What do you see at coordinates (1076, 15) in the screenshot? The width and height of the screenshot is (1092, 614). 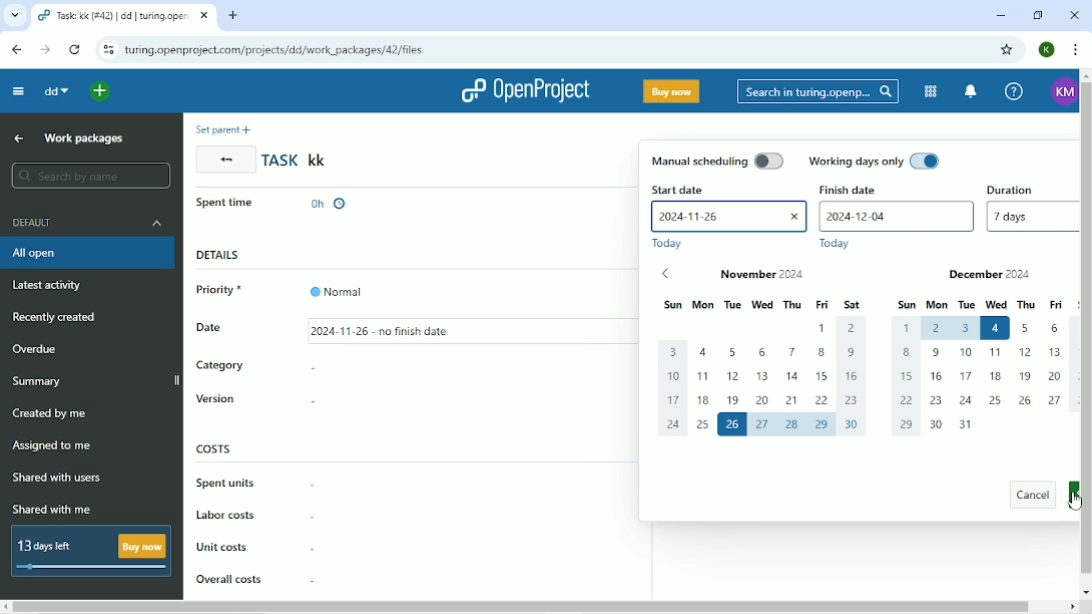 I see `Close` at bounding box center [1076, 15].